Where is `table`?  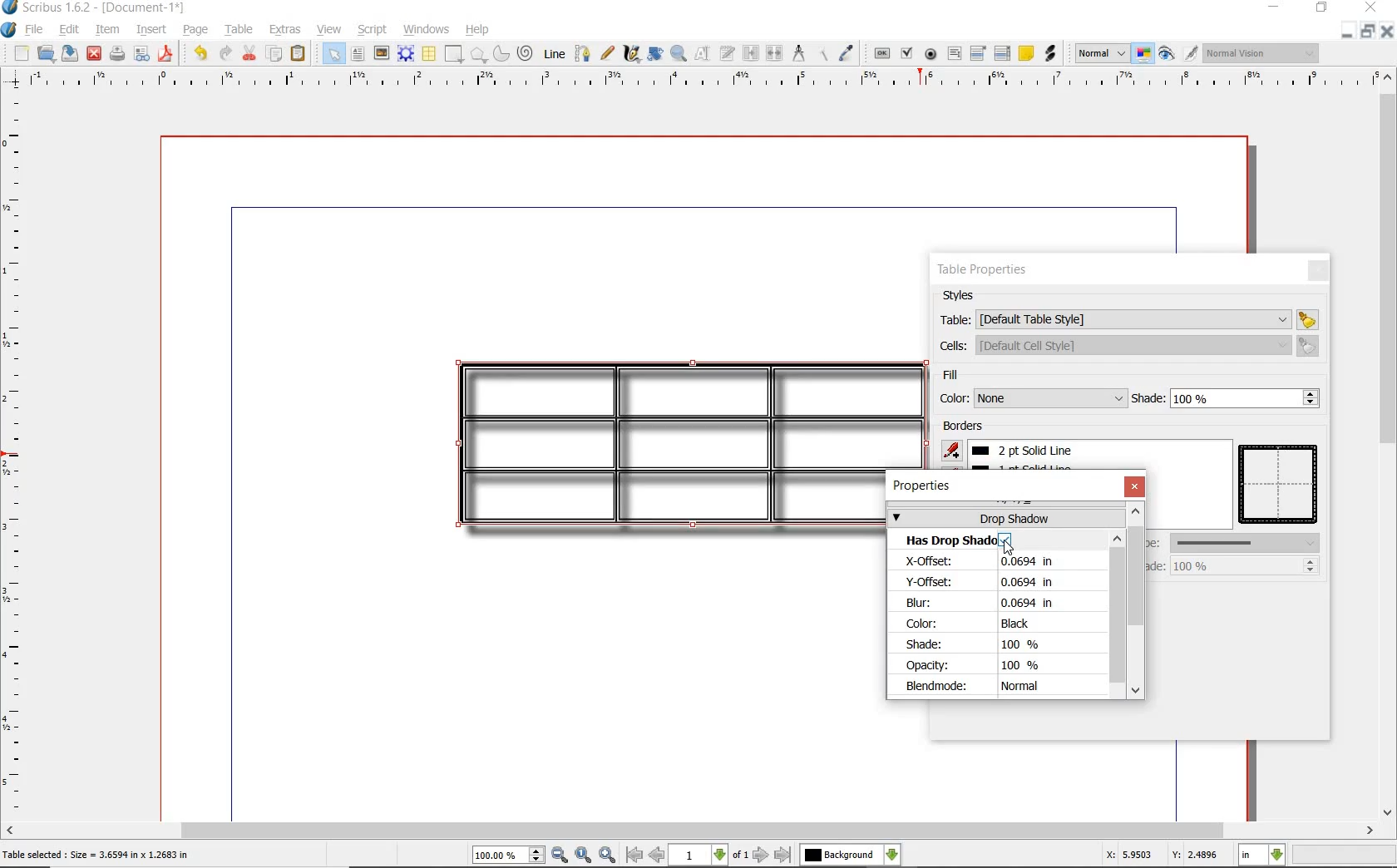
table is located at coordinates (429, 55).